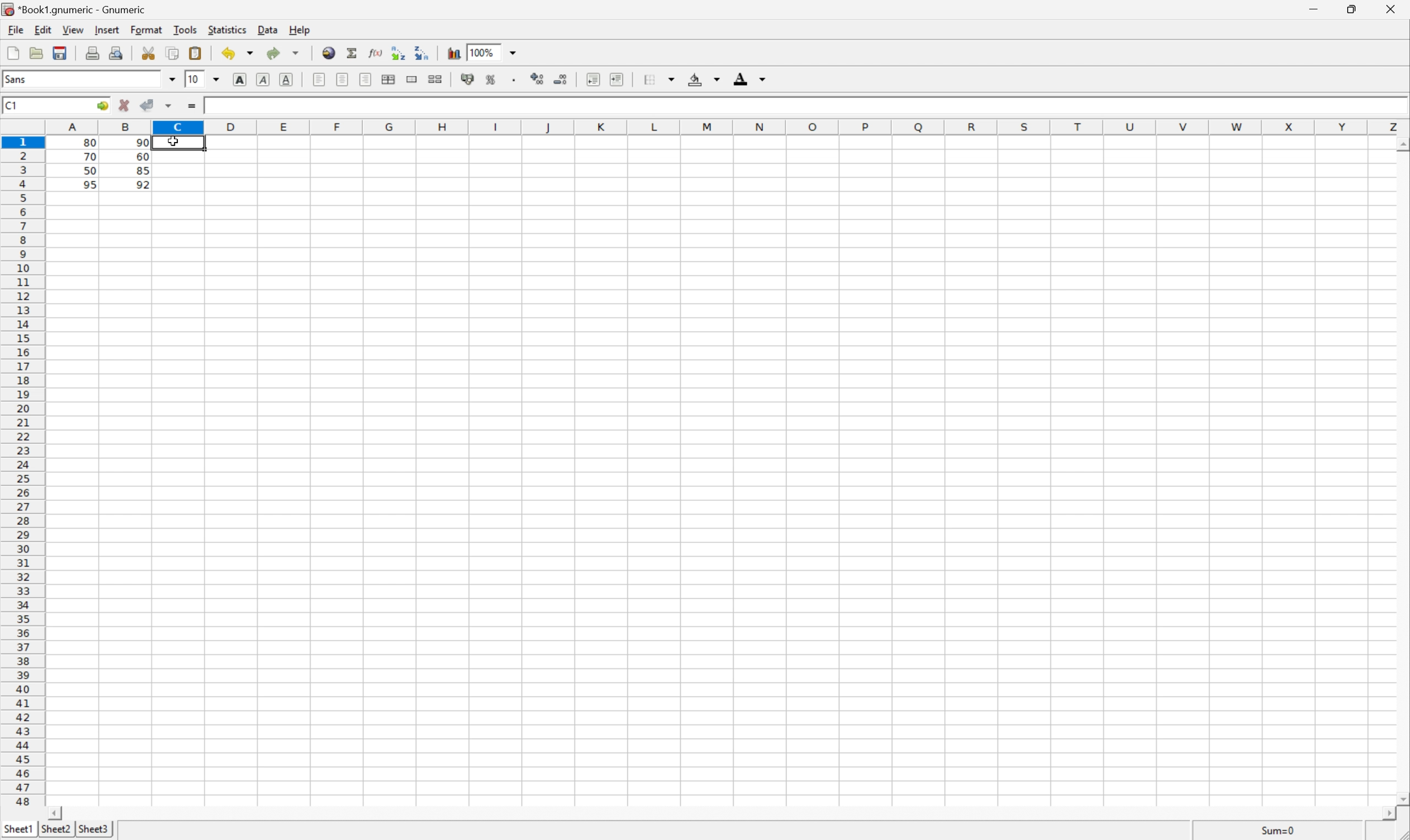 The image size is (1410, 840). Describe the element at coordinates (103, 106) in the screenshot. I see `Go to...` at that location.